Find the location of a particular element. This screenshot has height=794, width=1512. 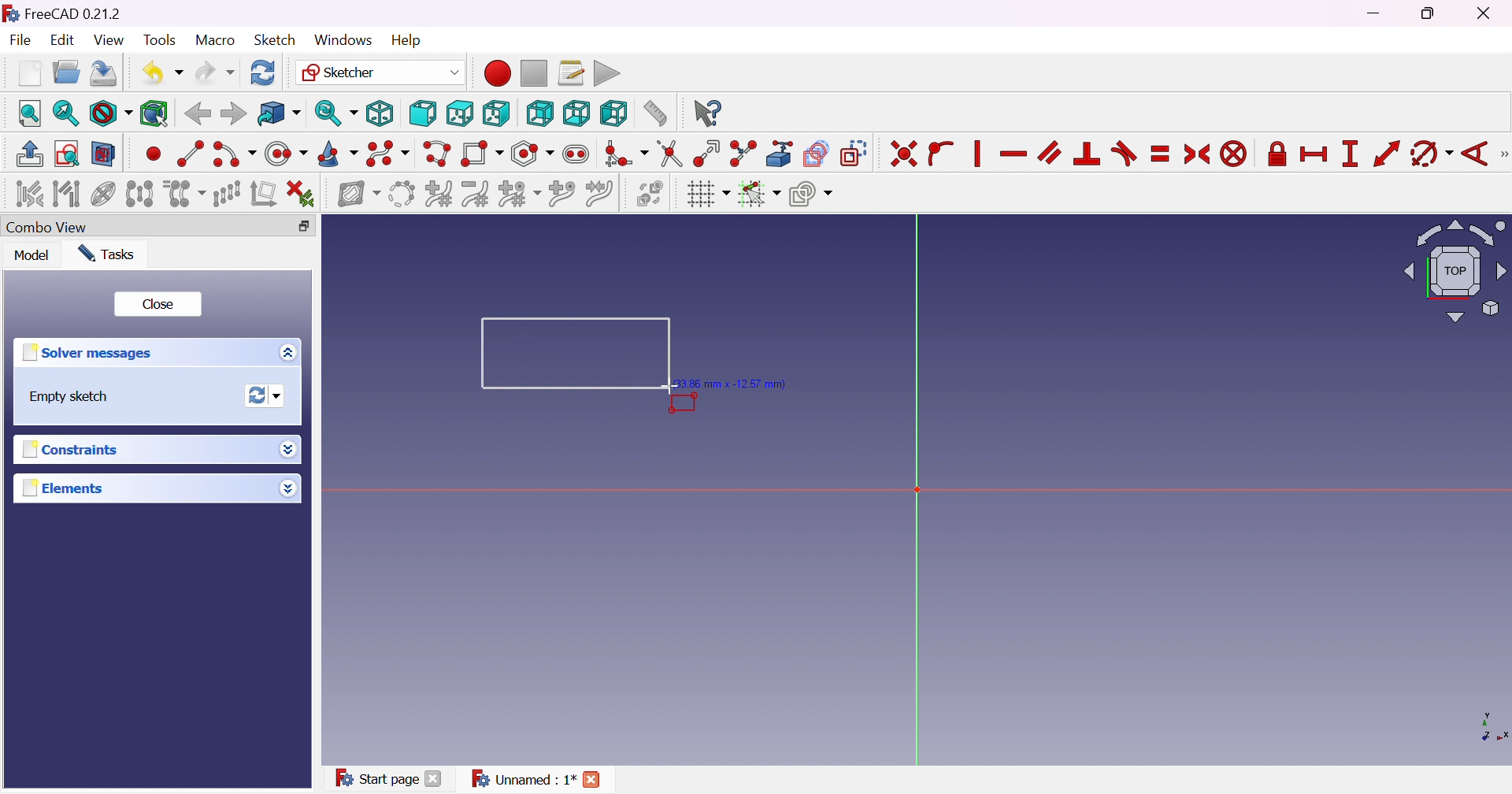

Sketch is located at coordinates (275, 39).